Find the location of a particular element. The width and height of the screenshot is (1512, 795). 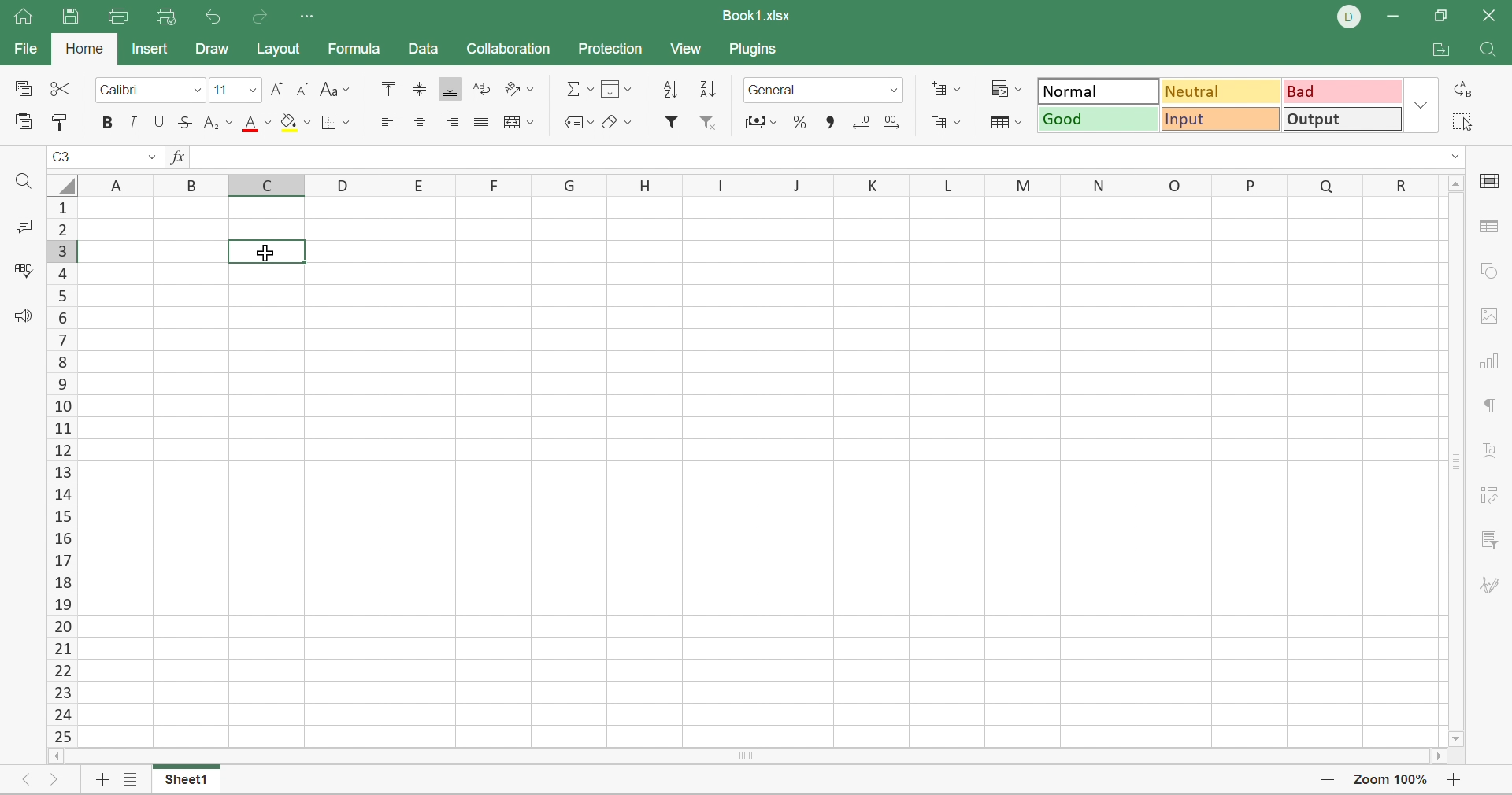

shape settings is located at coordinates (1492, 272).